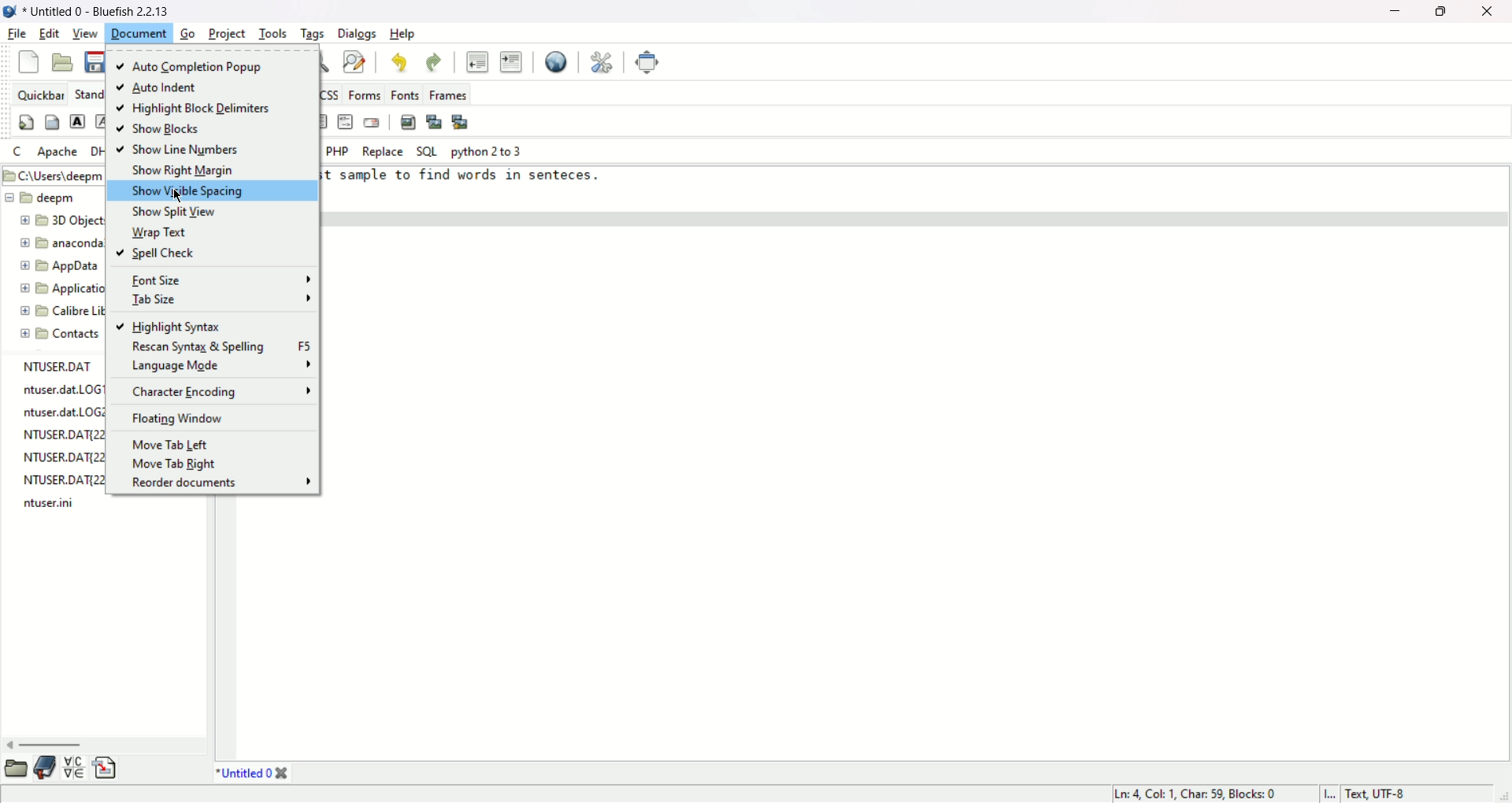  What do you see at coordinates (53, 123) in the screenshot?
I see `body` at bounding box center [53, 123].